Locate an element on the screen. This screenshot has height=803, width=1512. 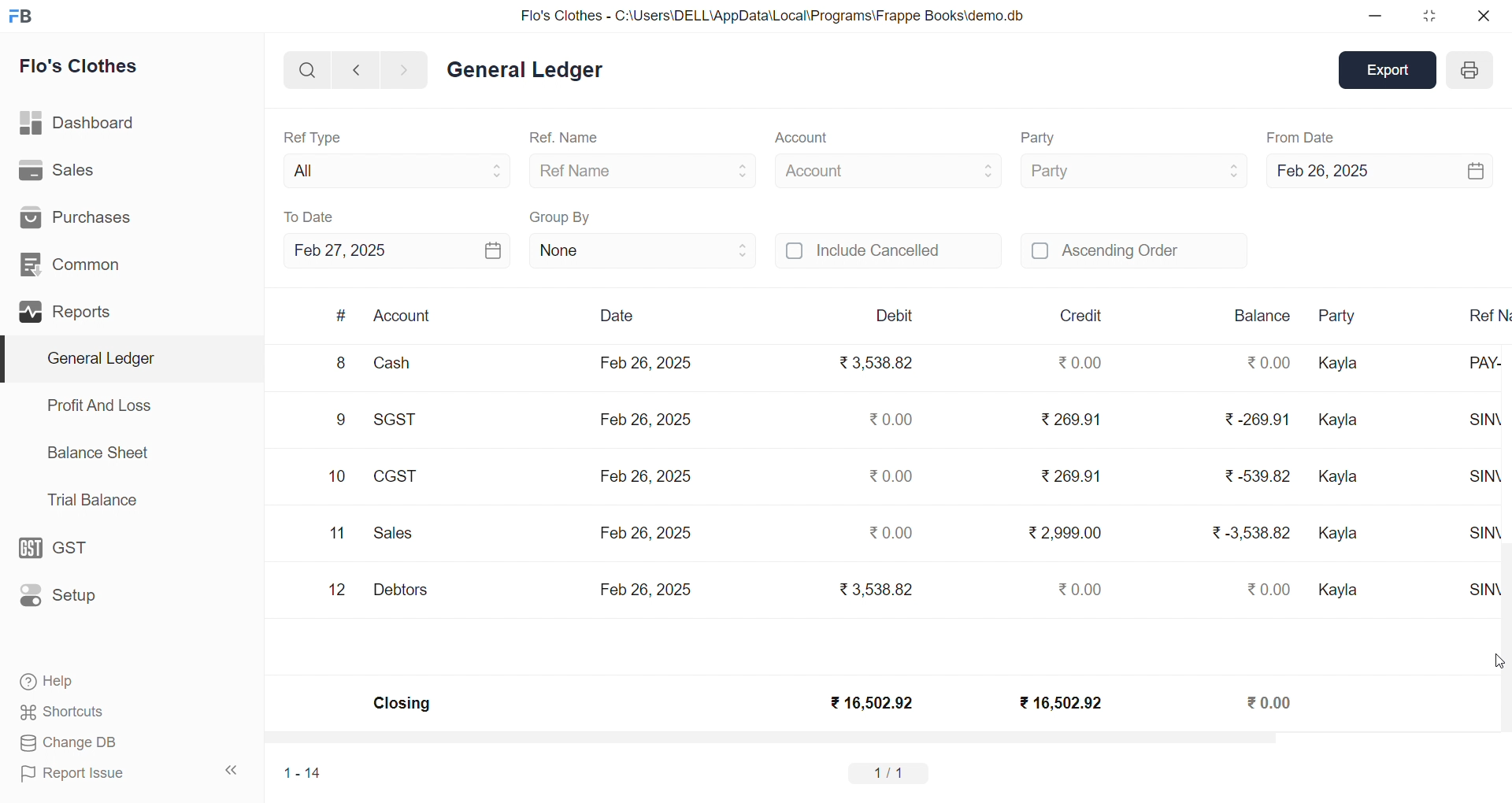
Ref N.. is located at coordinates (1488, 314).